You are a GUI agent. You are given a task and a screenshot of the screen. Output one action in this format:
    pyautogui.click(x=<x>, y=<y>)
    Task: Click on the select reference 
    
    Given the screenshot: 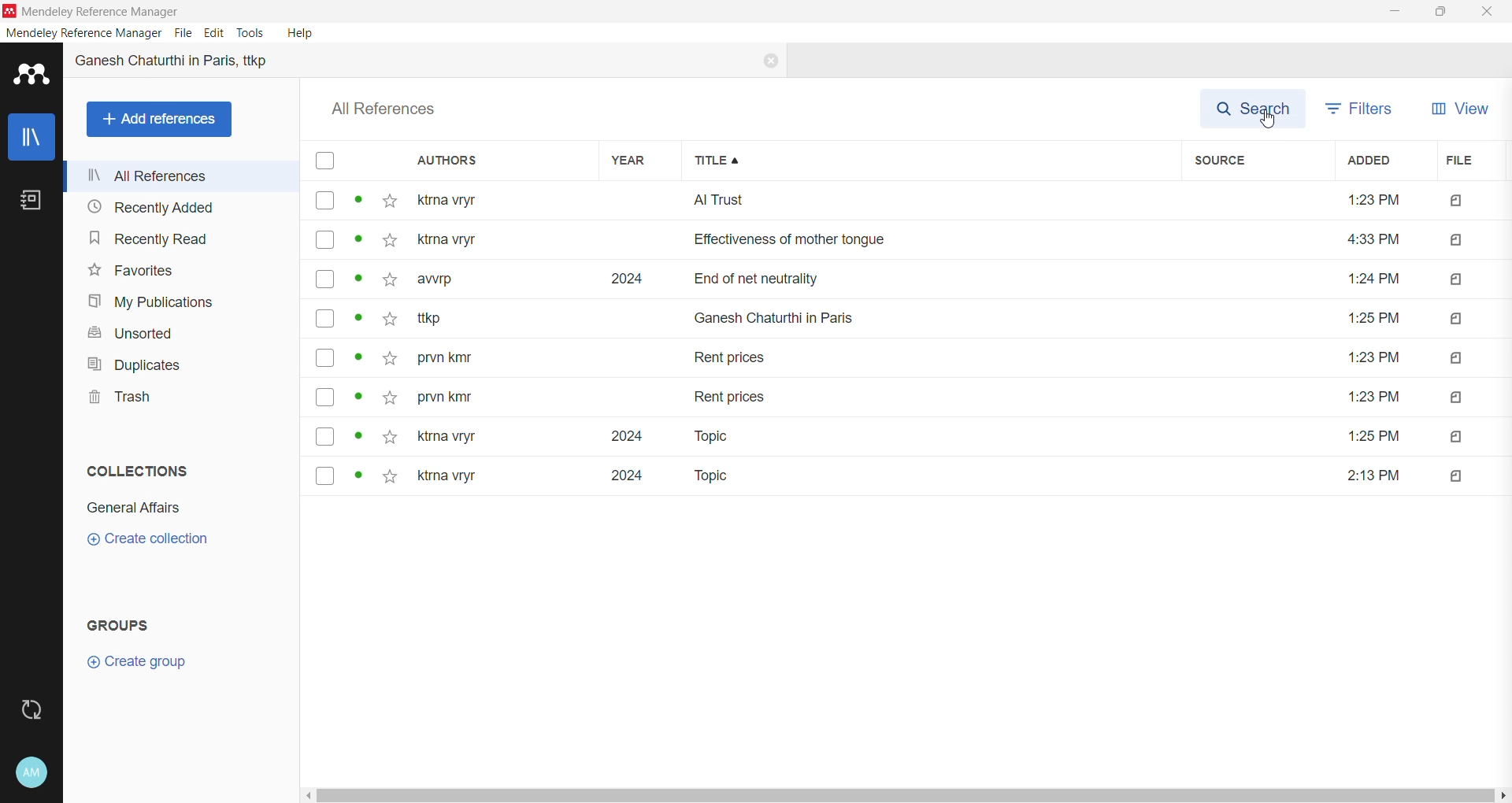 What is the action you would take?
    pyautogui.click(x=324, y=437)
    